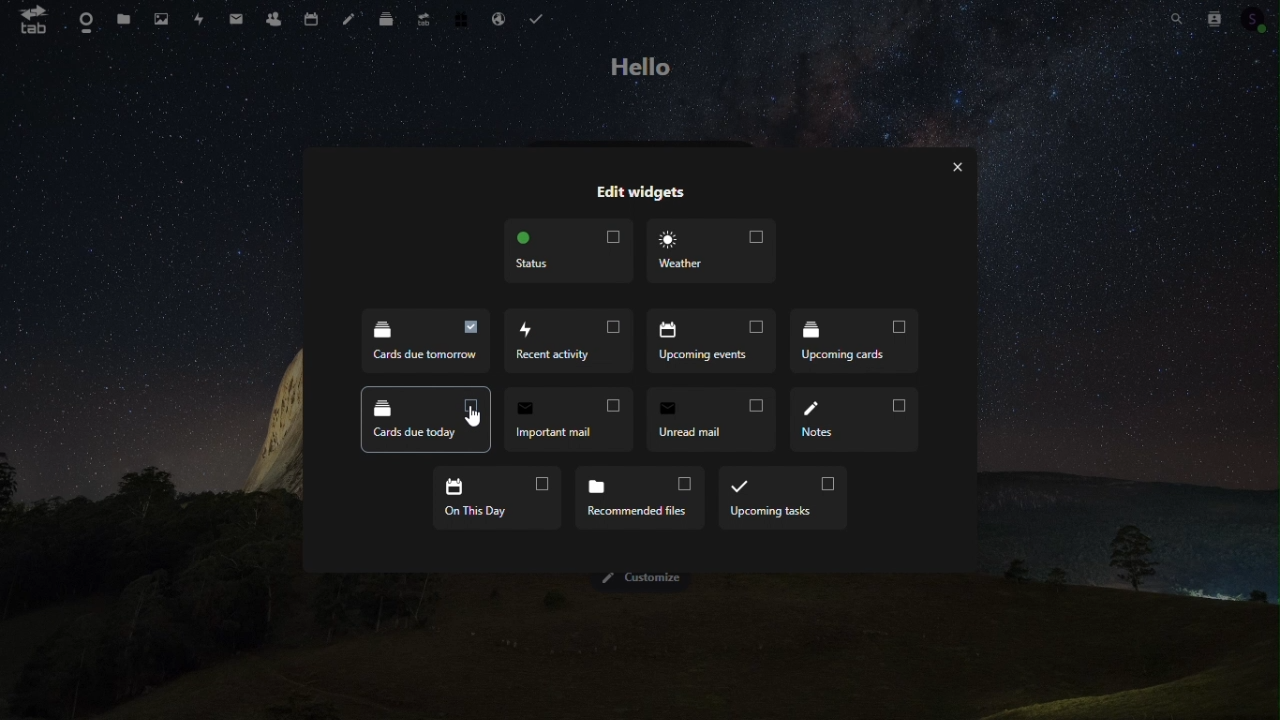  What do you see at coordinates (272, 18) in the screenshot?
I see `Contacts` at bounding box center [272, 18].